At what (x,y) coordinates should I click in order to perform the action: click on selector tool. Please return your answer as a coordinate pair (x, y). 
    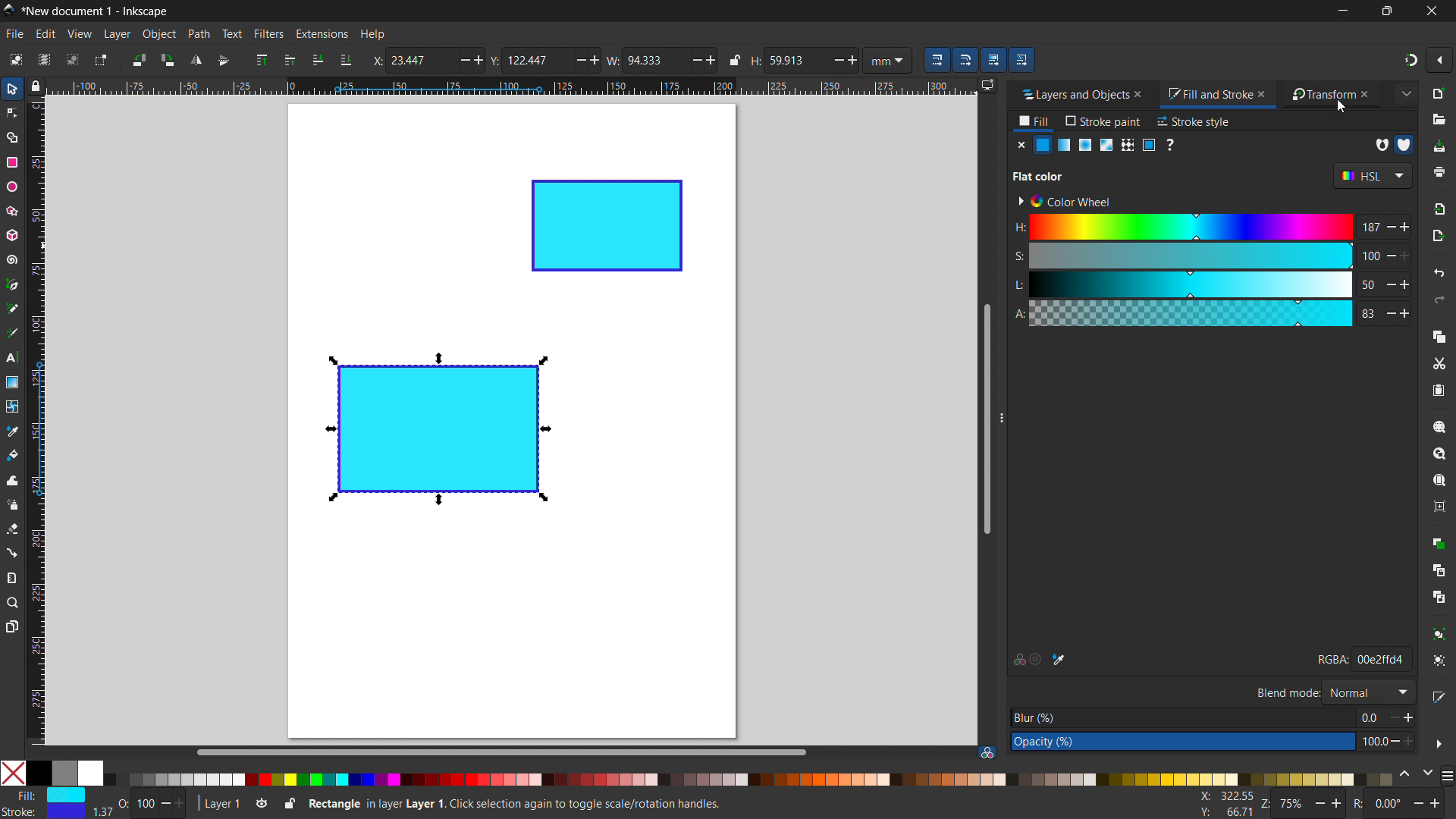
    Looking at the image, I should click on (12, 89).